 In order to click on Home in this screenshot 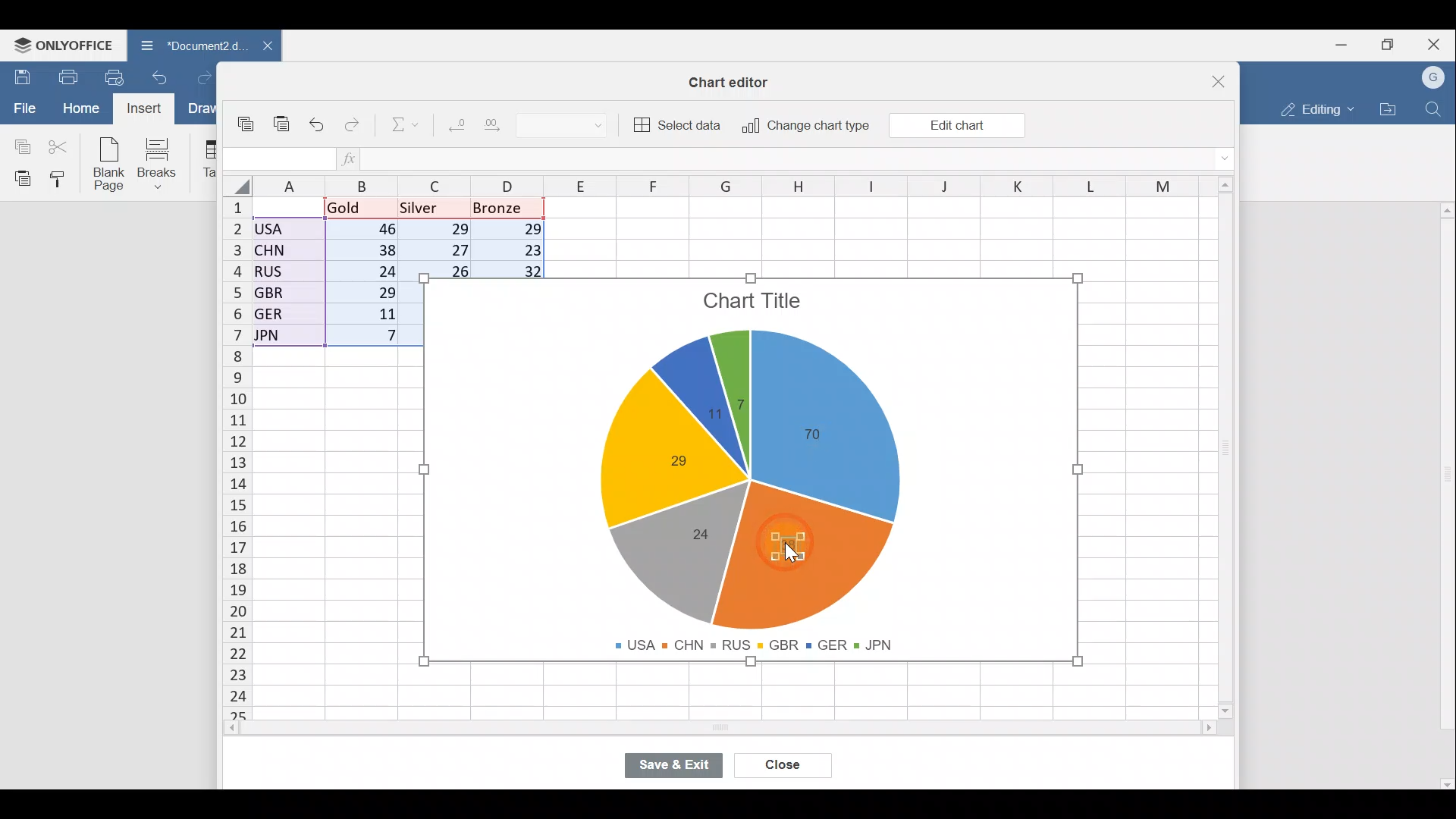, I will do `click(80, 108)`.